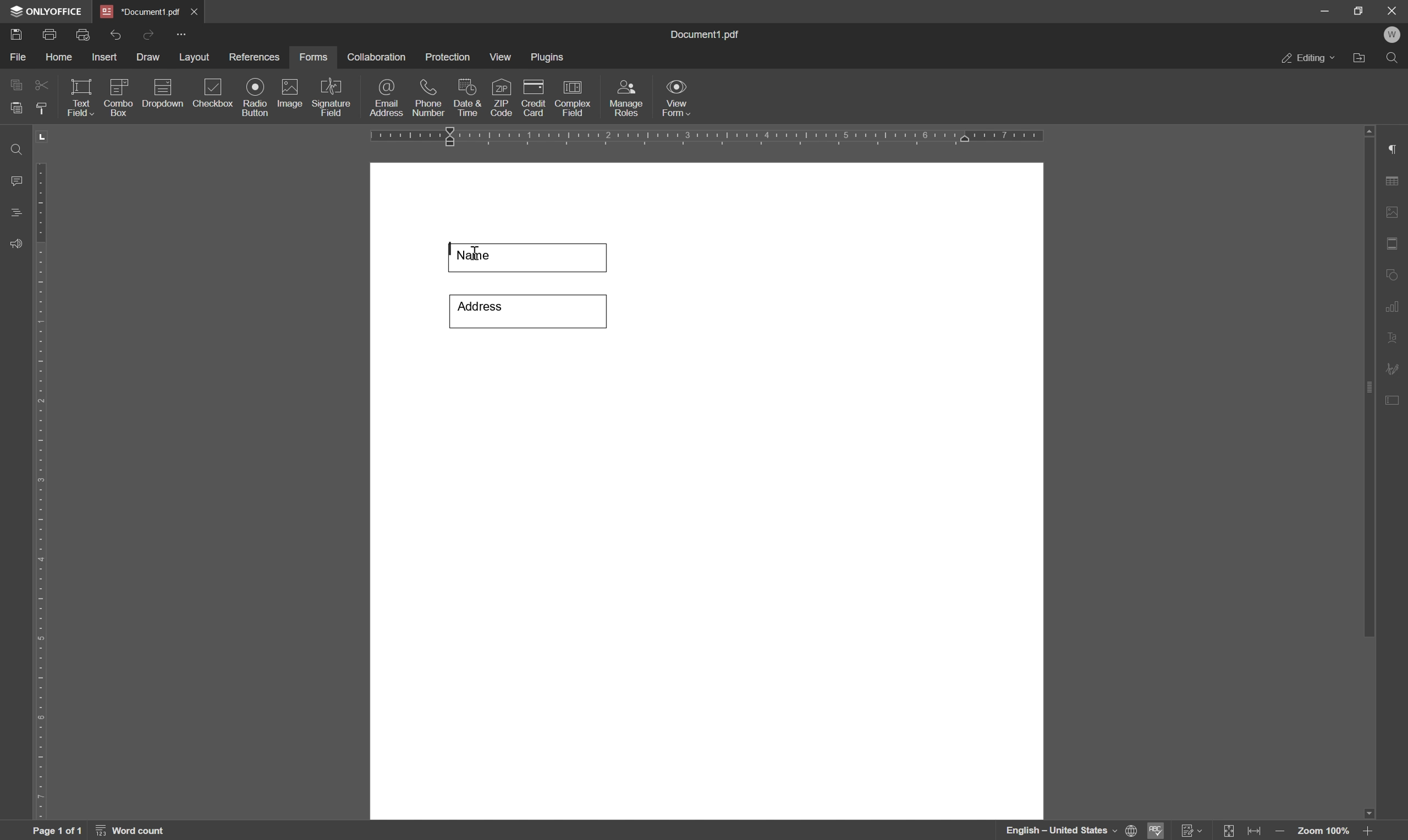 Image resolution: width=1408 pixels, height=840 pixels. What do you see at coordinates (134, 831) in the screenshot?
I see `word count` at bounding box center [134, 831].